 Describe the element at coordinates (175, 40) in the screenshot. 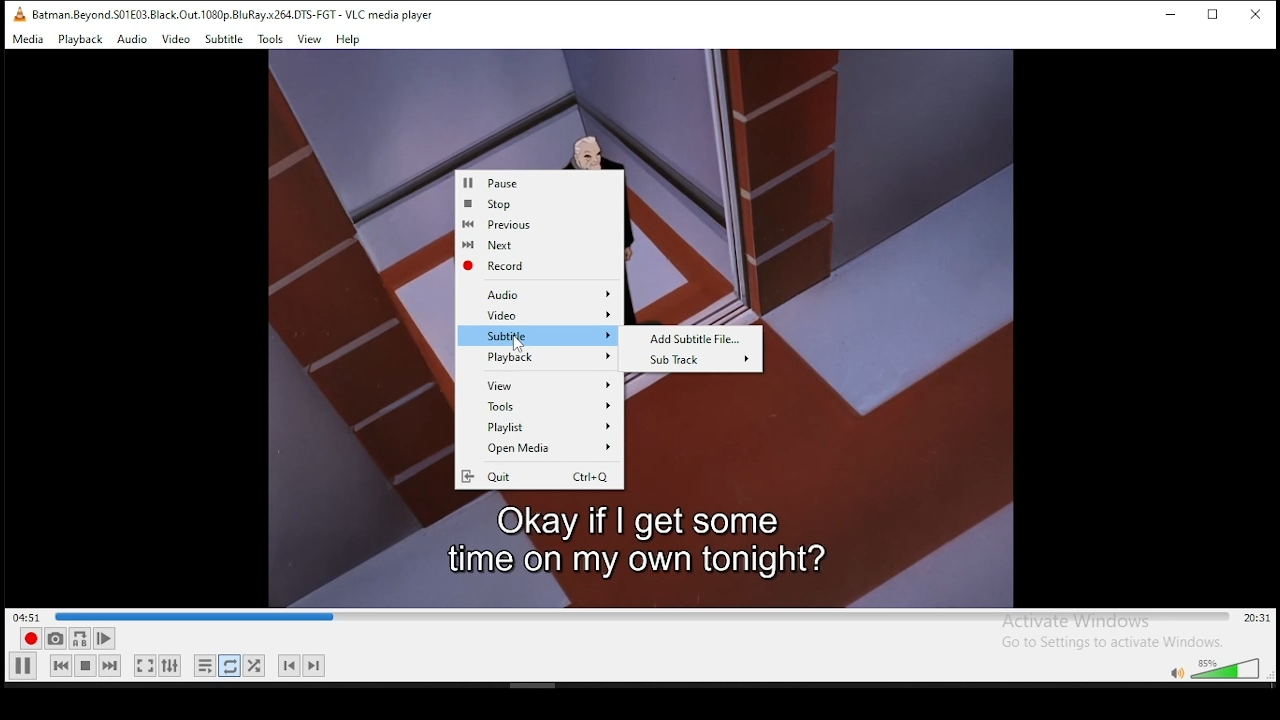

I see `Video` at that location.